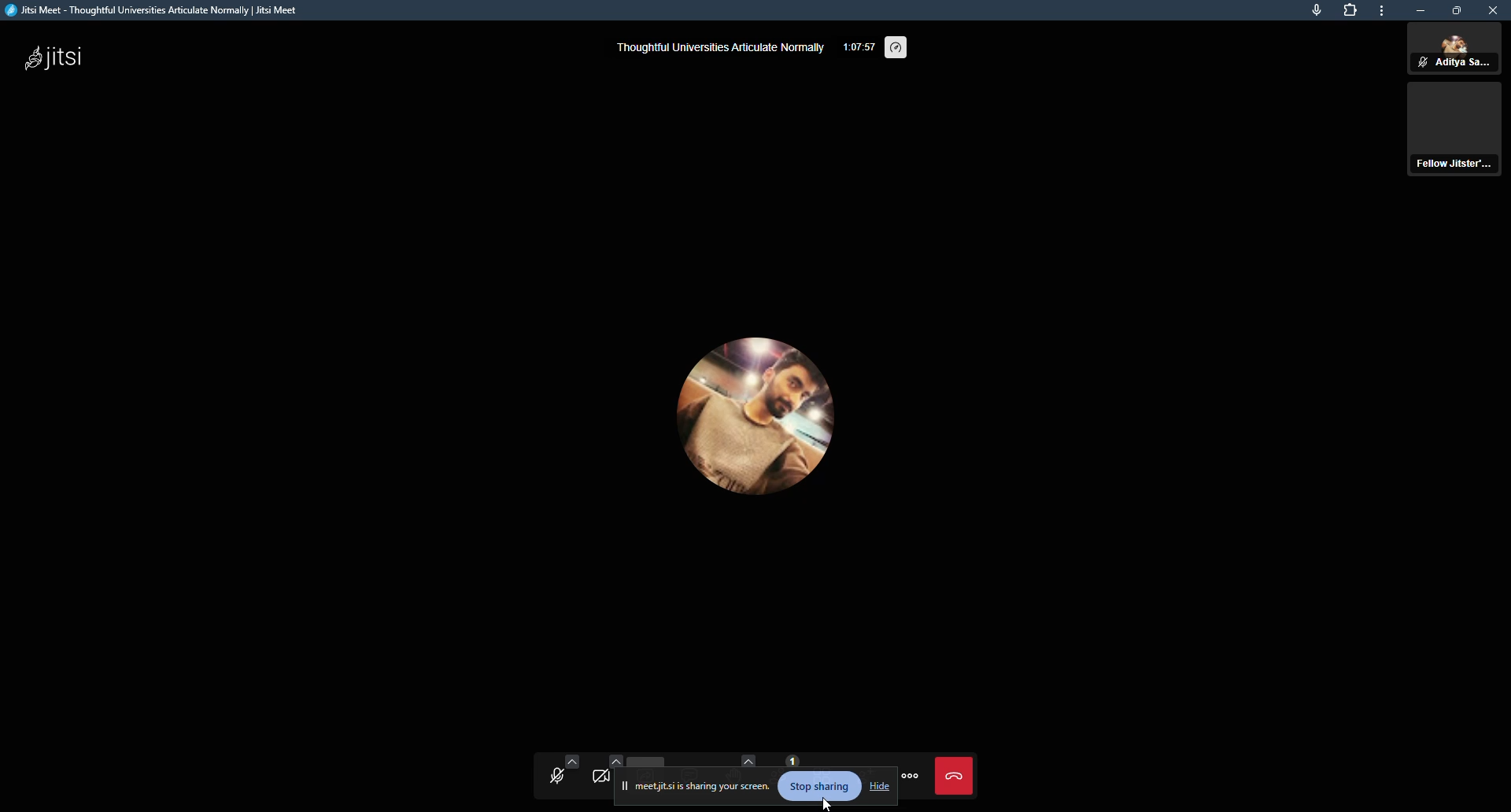  What do you see at coordinates (716, 50) in the screenshot?
I see `thoughtful universities articulate normally` at bounding box center [716, 50].